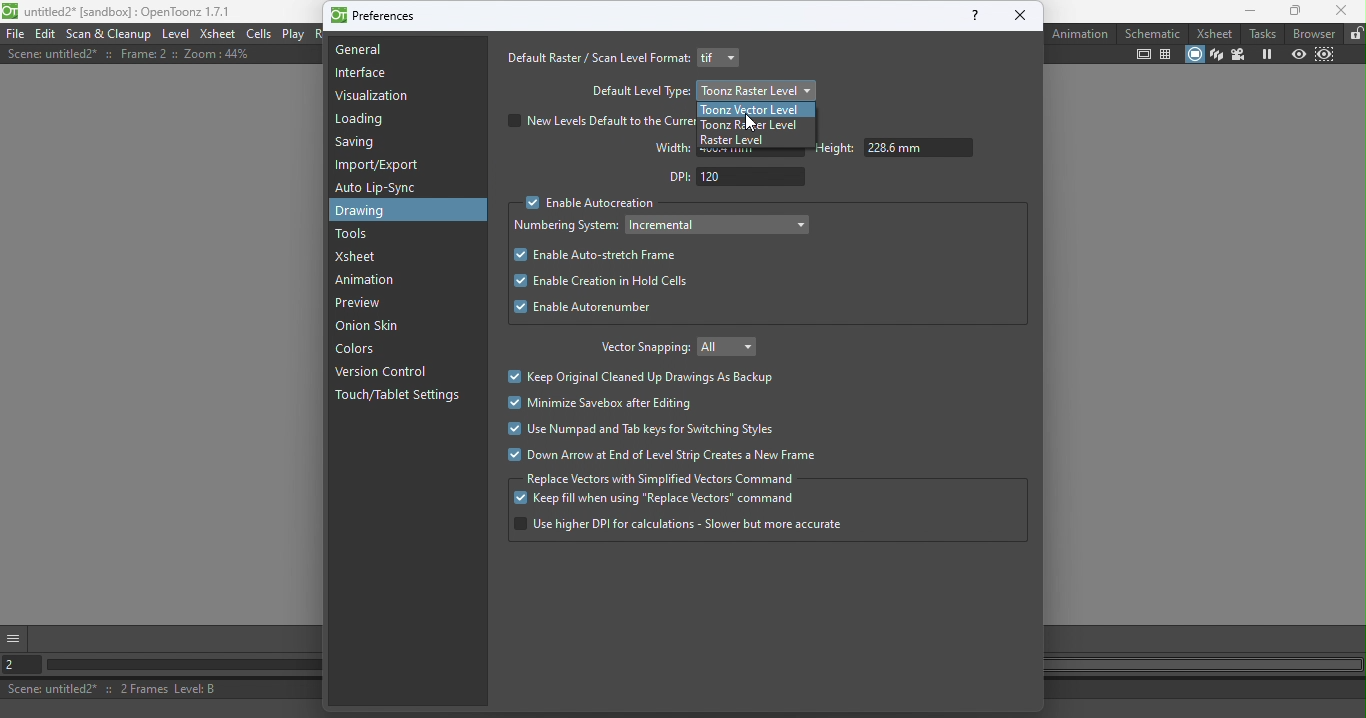  What do you see at coordinates (1166, 55) in the screenshot?
I see `Field guide` at bounding box center [1166, 55].